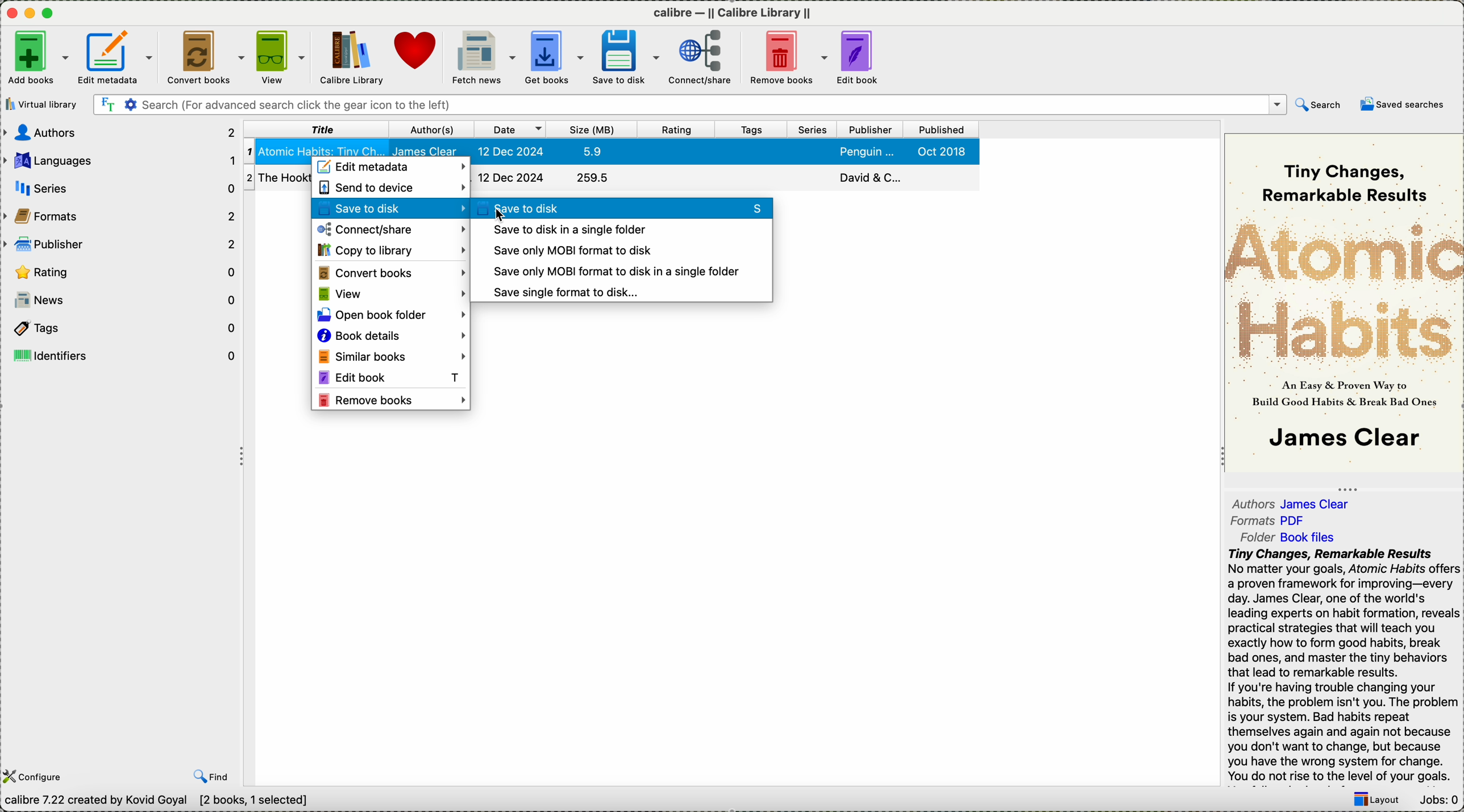  What do you see at coordinates (120, 160) in the screenshot?
I see `languages` at bounding box center [120, 160].